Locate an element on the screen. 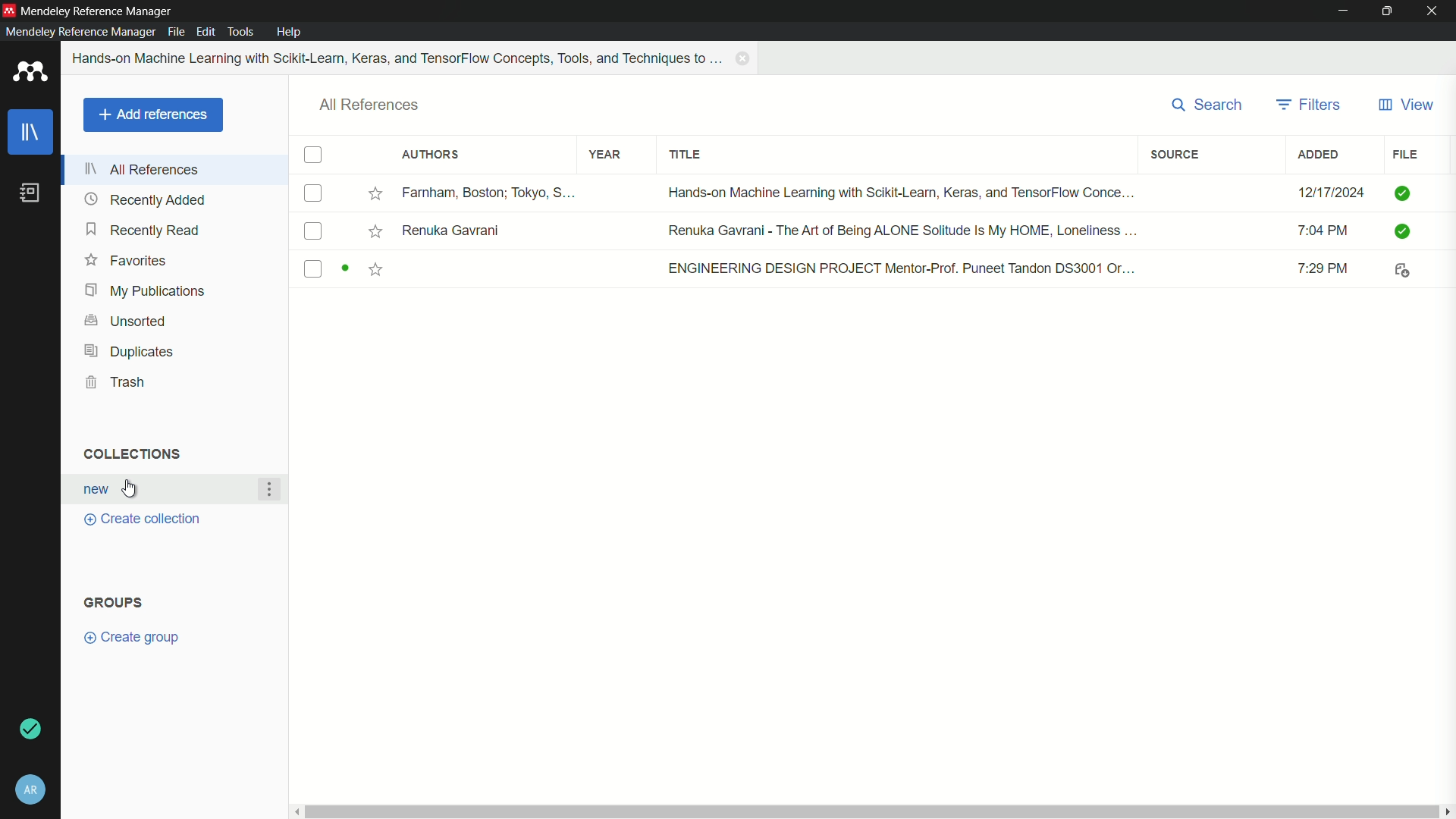 The width and height of the screenshot is (1456, 819). book-2 is located at coordinates (866, 231).